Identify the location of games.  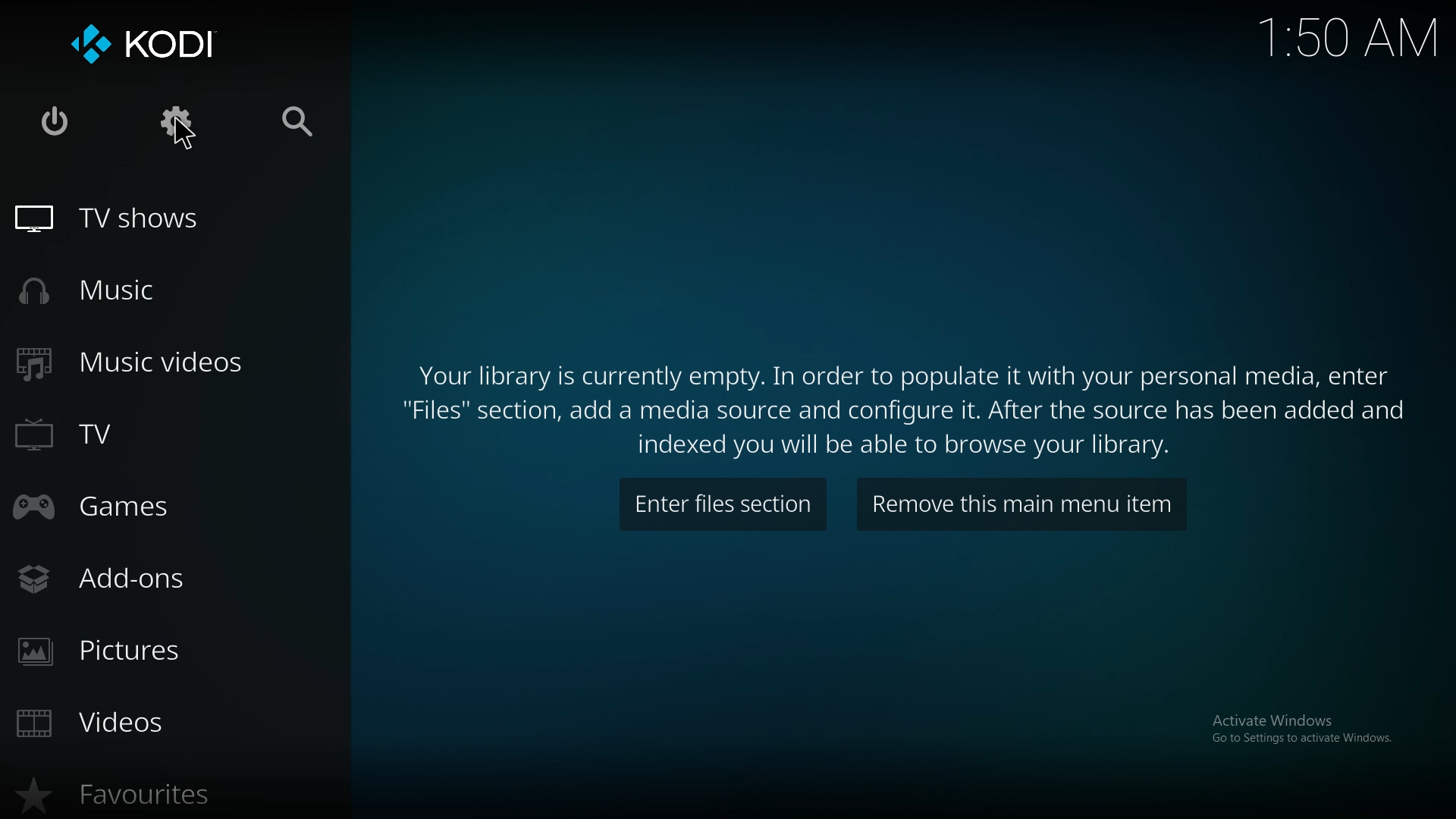
(118, 510).